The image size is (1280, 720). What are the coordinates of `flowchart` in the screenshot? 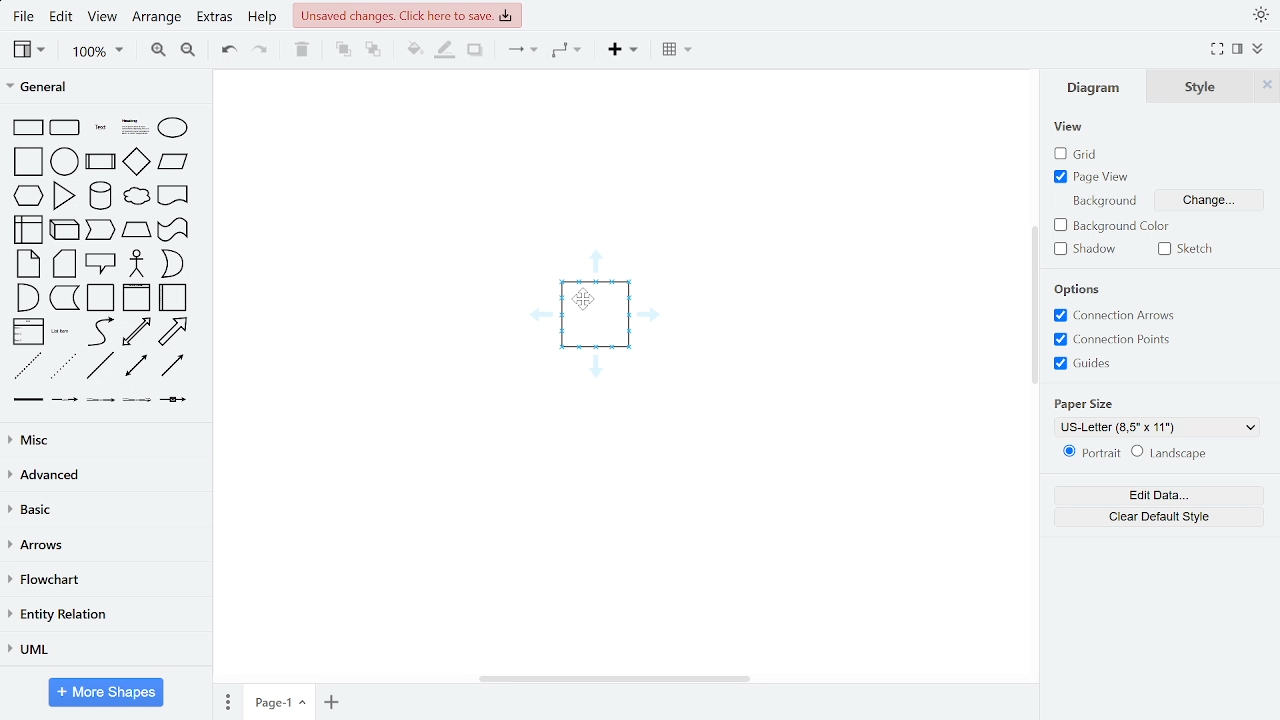 It's located at (105, 580).